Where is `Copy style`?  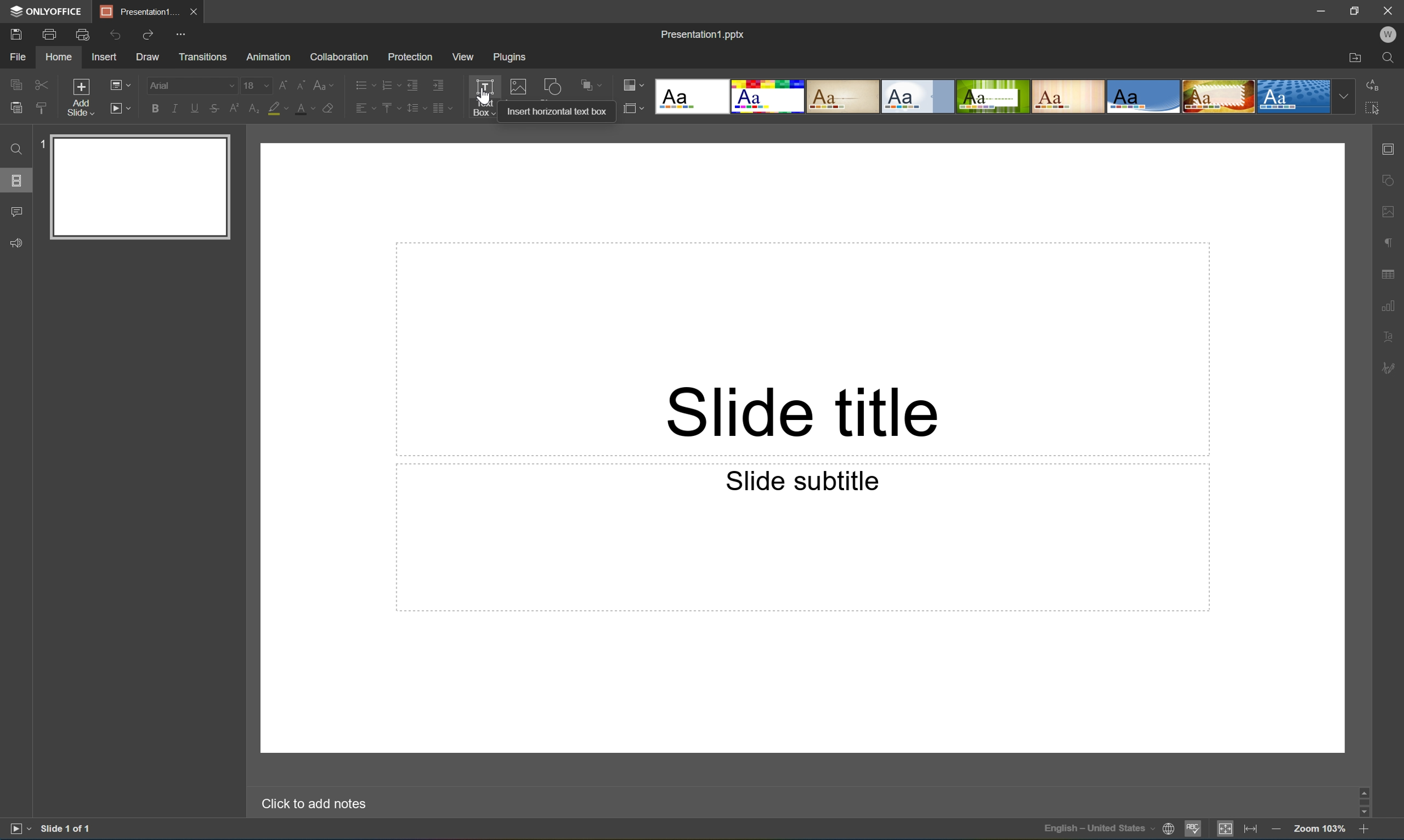 Copy style is located at coordinates (41, 108).